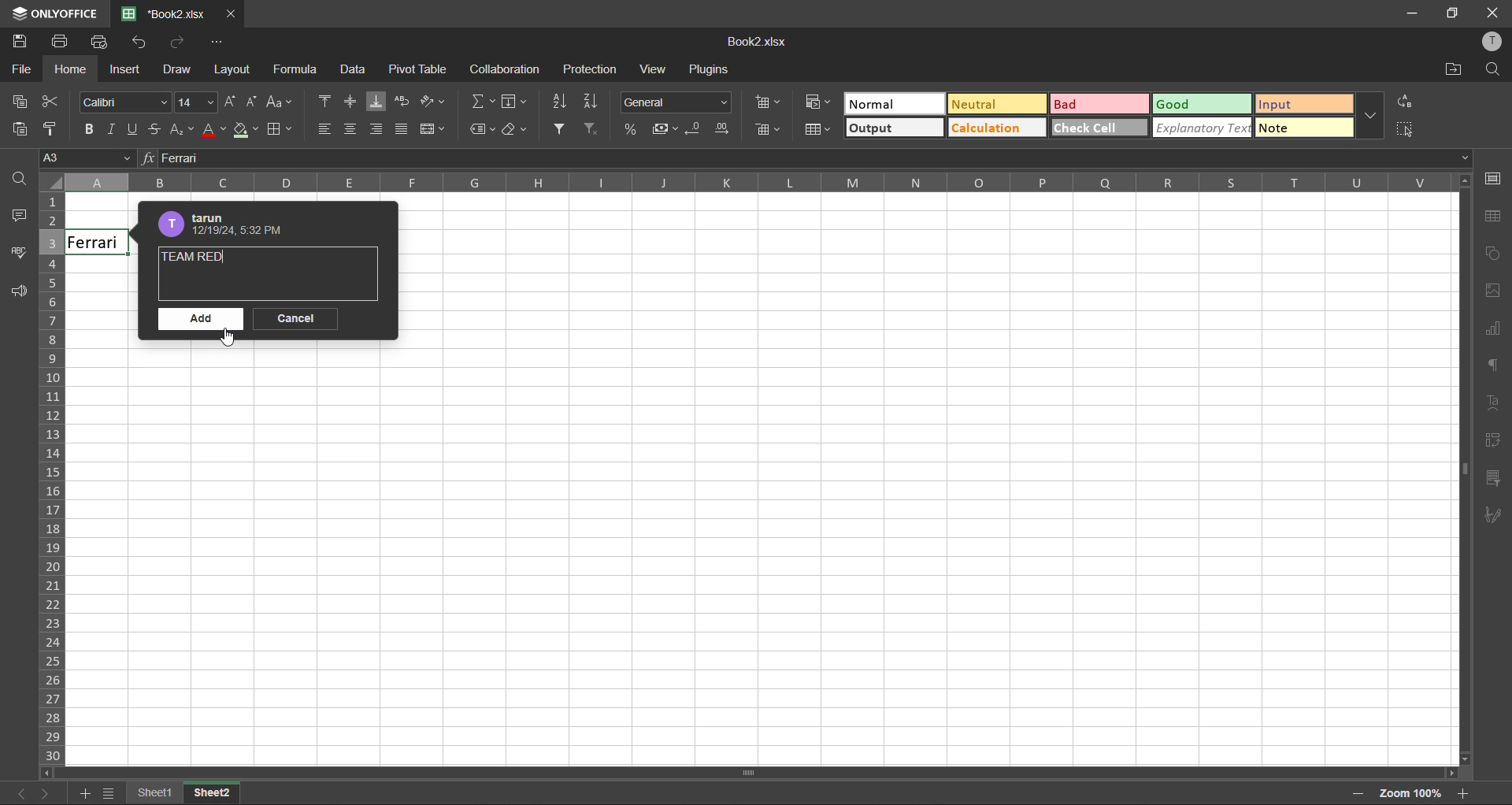 This screenshot has height=805, width=1512. What do you see at coordinates (61, 43) in the screenshot?
I see `print` at bounding box center [61, 43].